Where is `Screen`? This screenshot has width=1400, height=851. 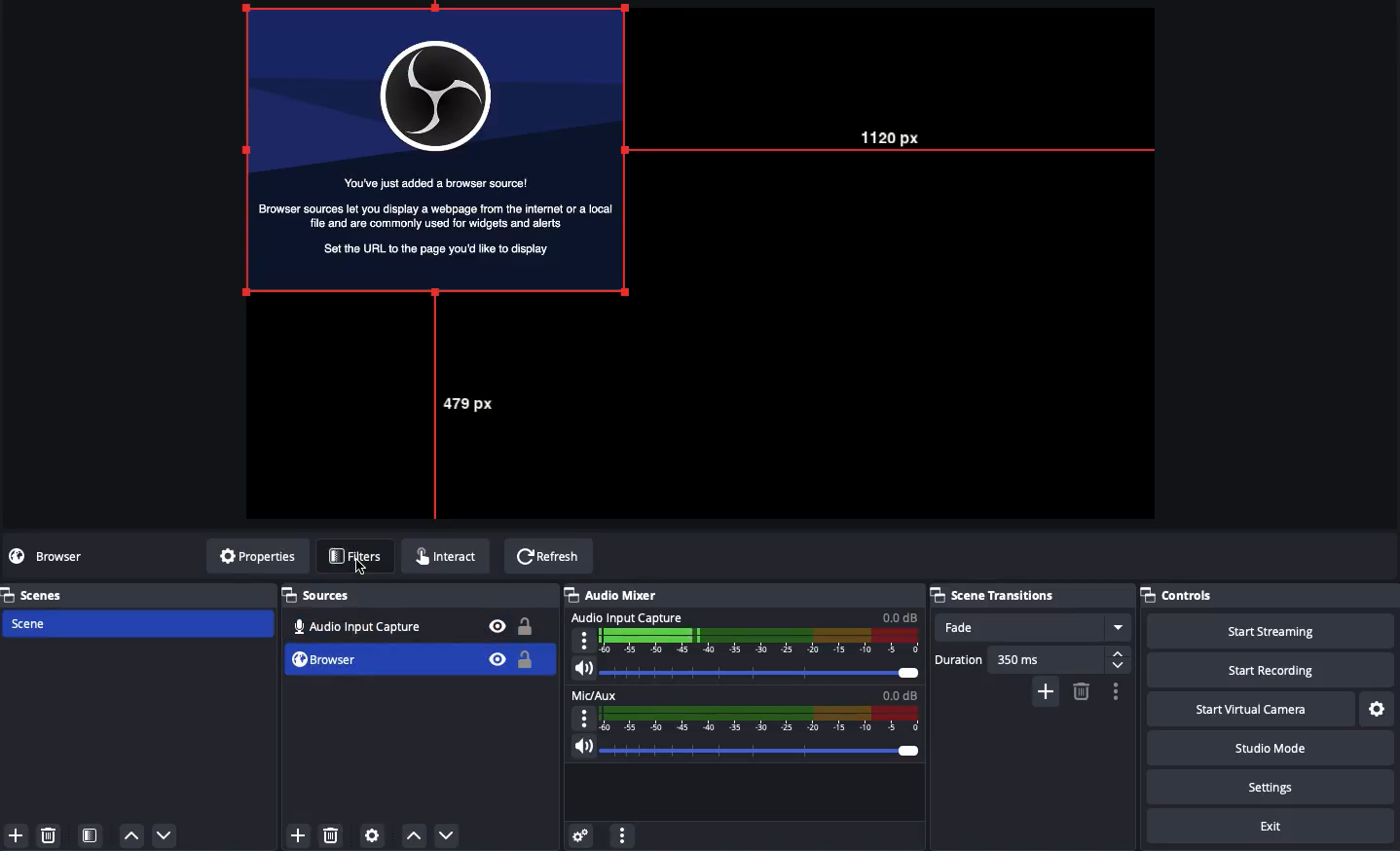
Screen is located at coordinates (436, 150).